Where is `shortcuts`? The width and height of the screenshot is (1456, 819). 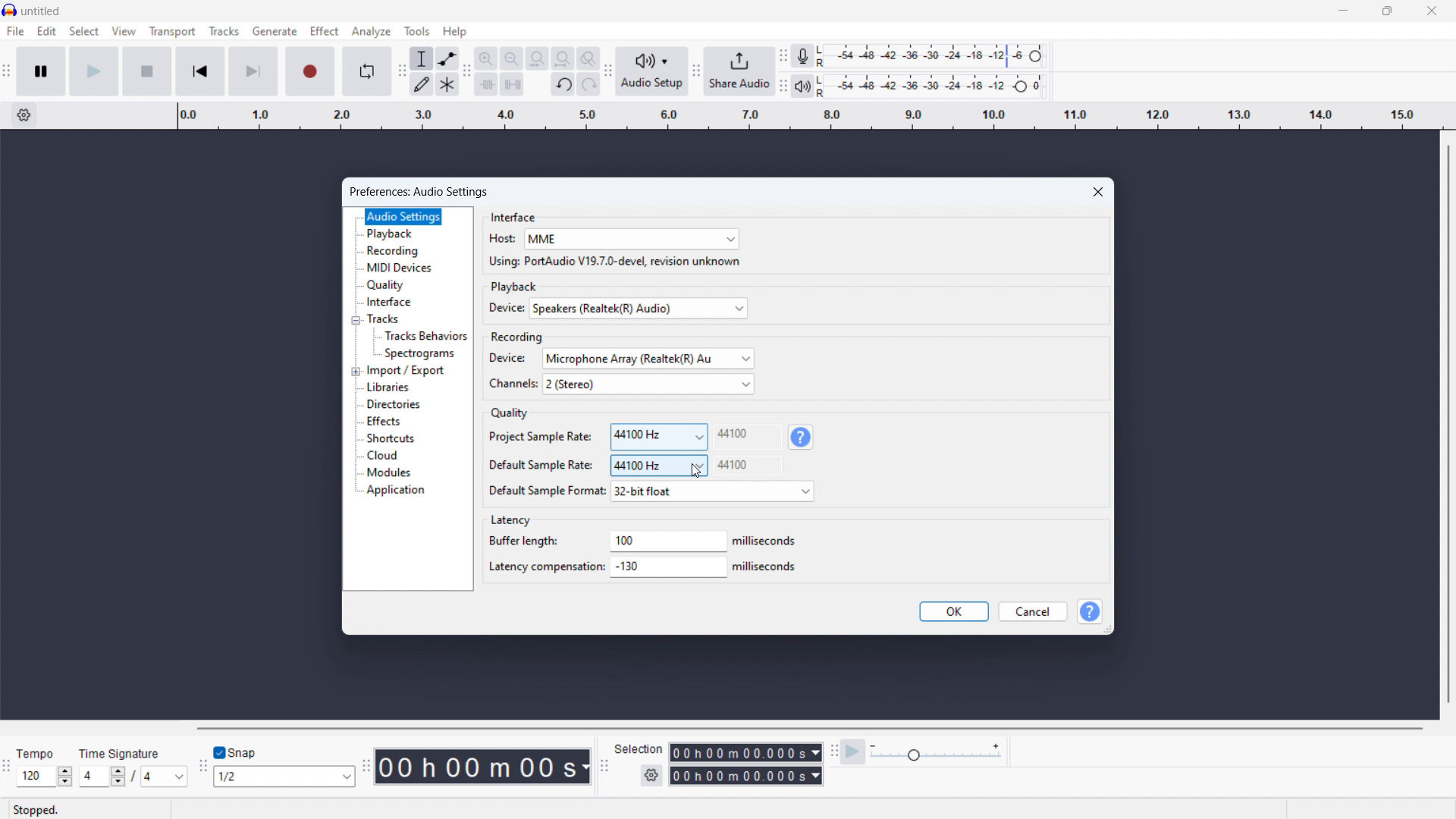 shortcuts is located at coordinates (390, 438).